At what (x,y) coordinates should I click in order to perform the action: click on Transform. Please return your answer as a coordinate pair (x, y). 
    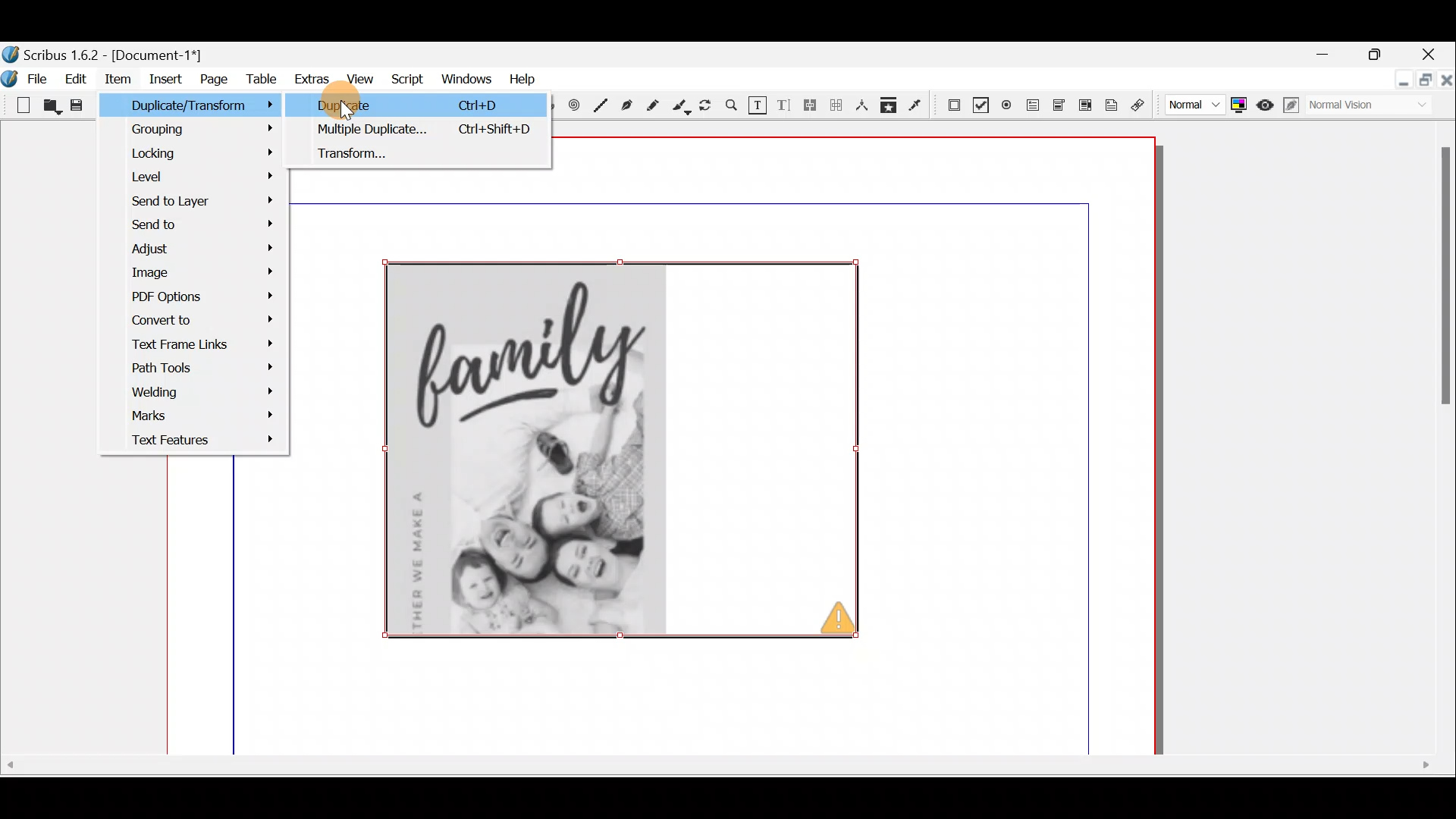
    Looking at the image, I should click on (428, 156).